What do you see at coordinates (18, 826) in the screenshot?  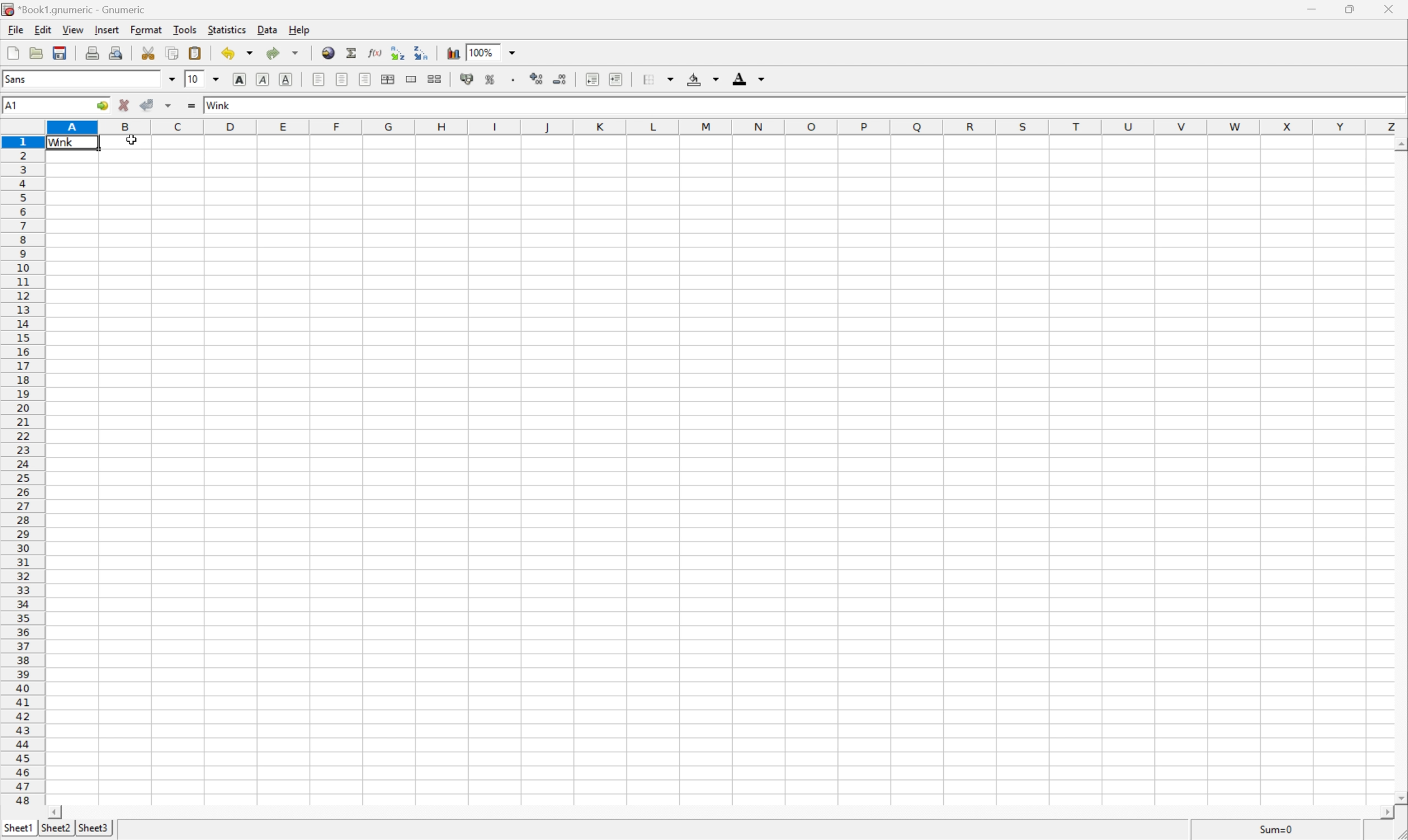 I see `sheet1` at bounding box center [18, 826].